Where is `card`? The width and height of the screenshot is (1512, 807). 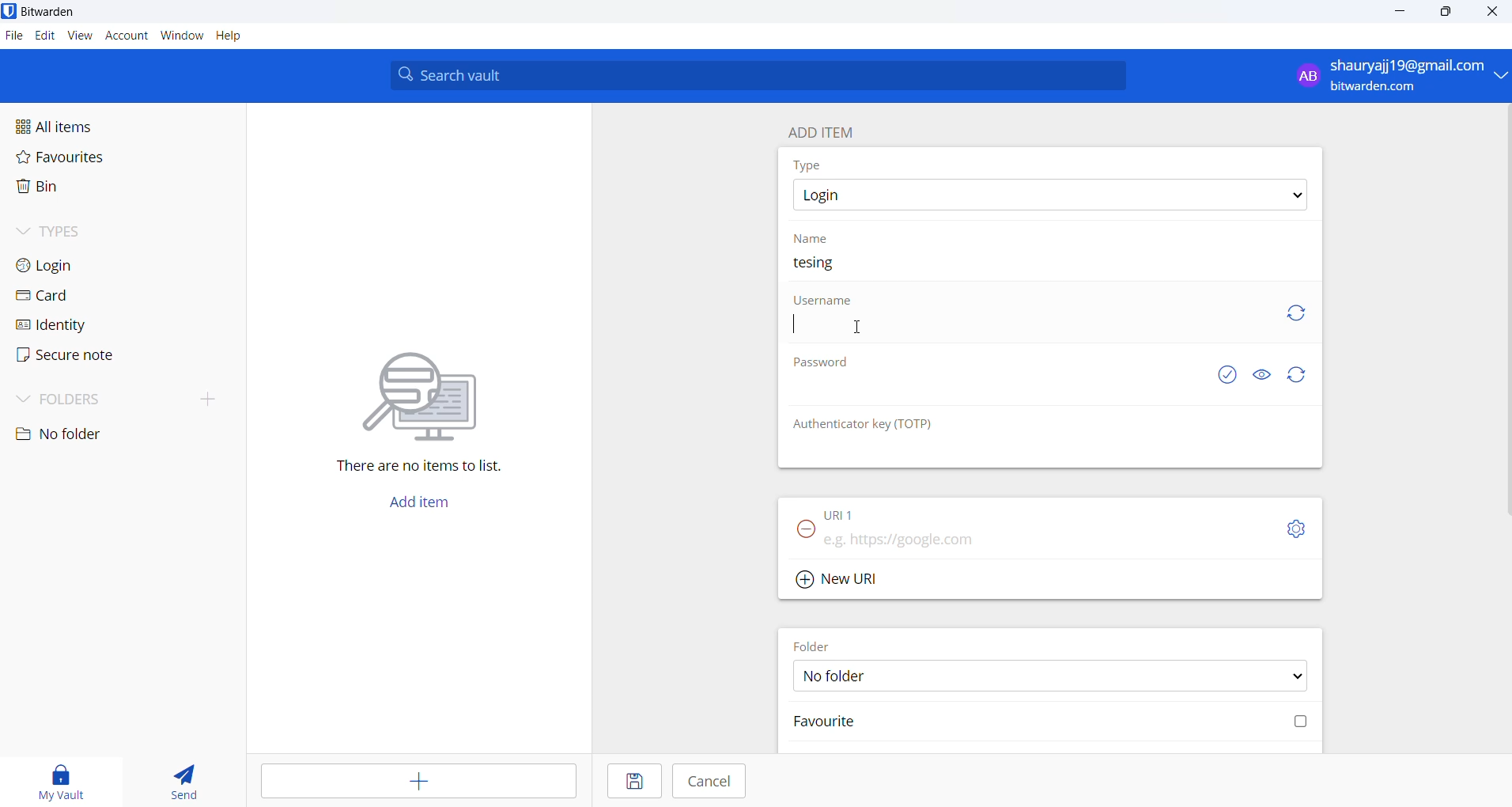
card is located at coordinates (63, 297).